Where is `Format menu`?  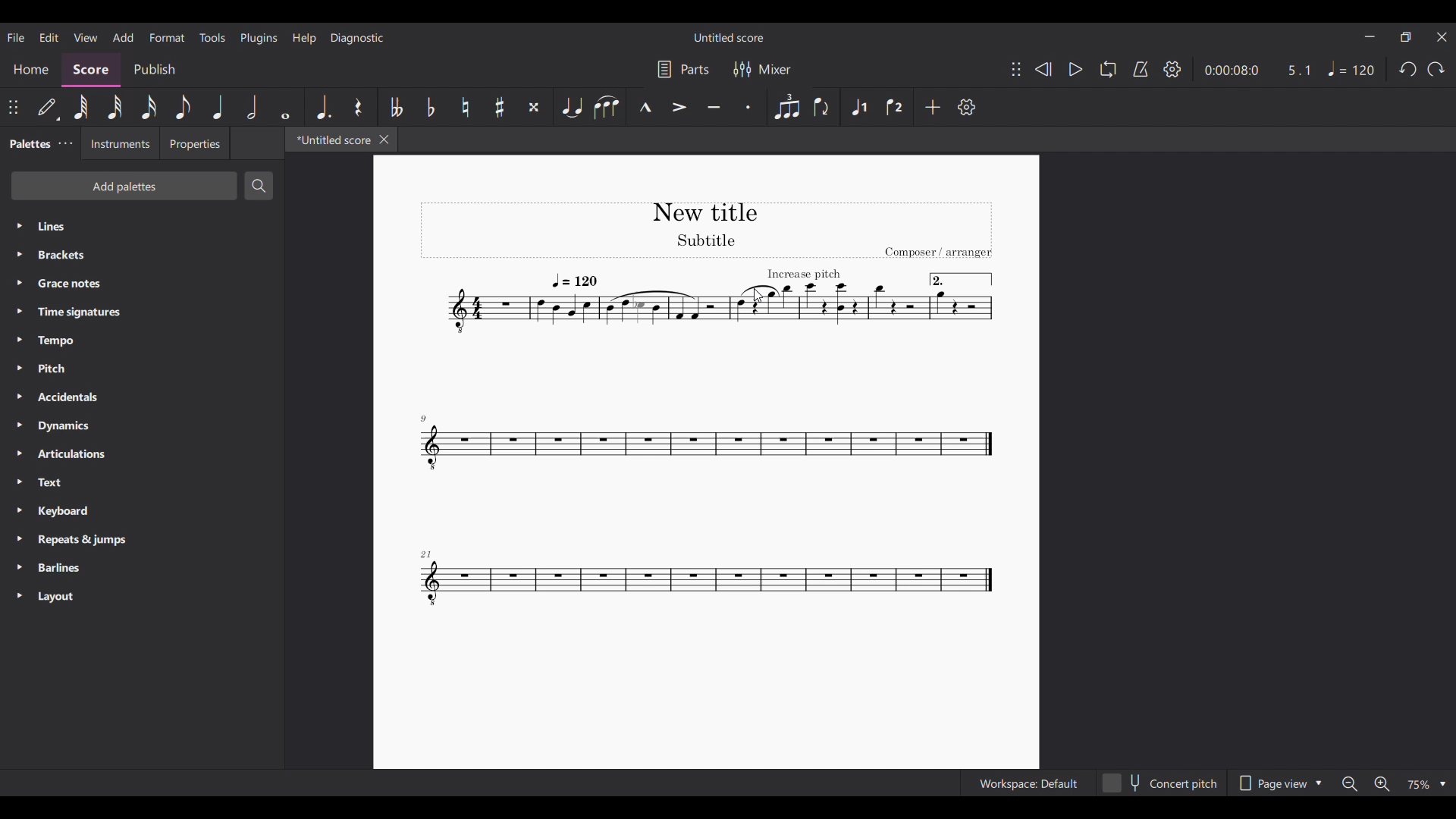 Format menu is located at coordinates (167, 37).